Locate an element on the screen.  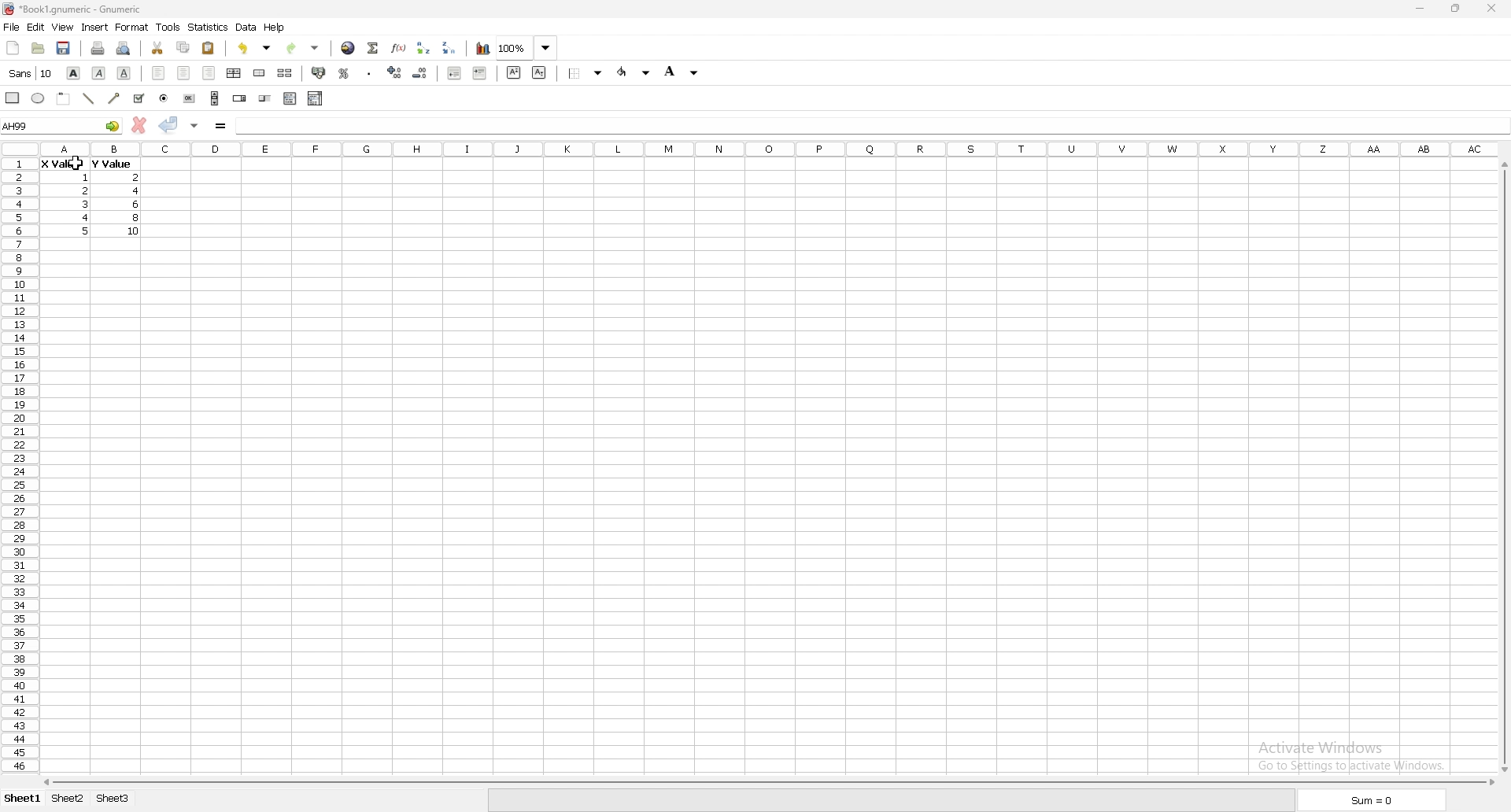
subscript is located at coordinates (540, 72).